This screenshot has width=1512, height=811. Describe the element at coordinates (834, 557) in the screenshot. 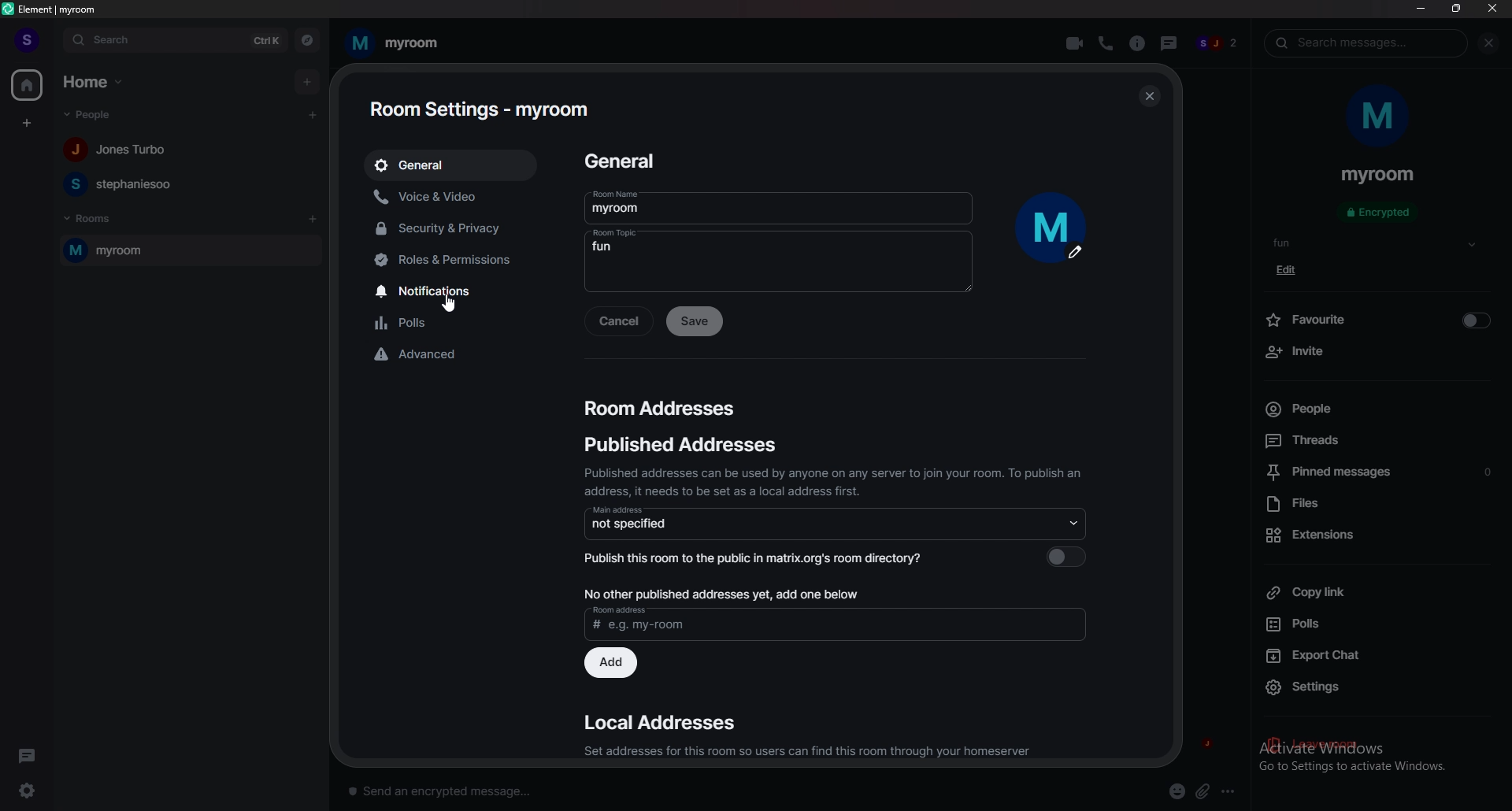

I see `publish this room` at that location.